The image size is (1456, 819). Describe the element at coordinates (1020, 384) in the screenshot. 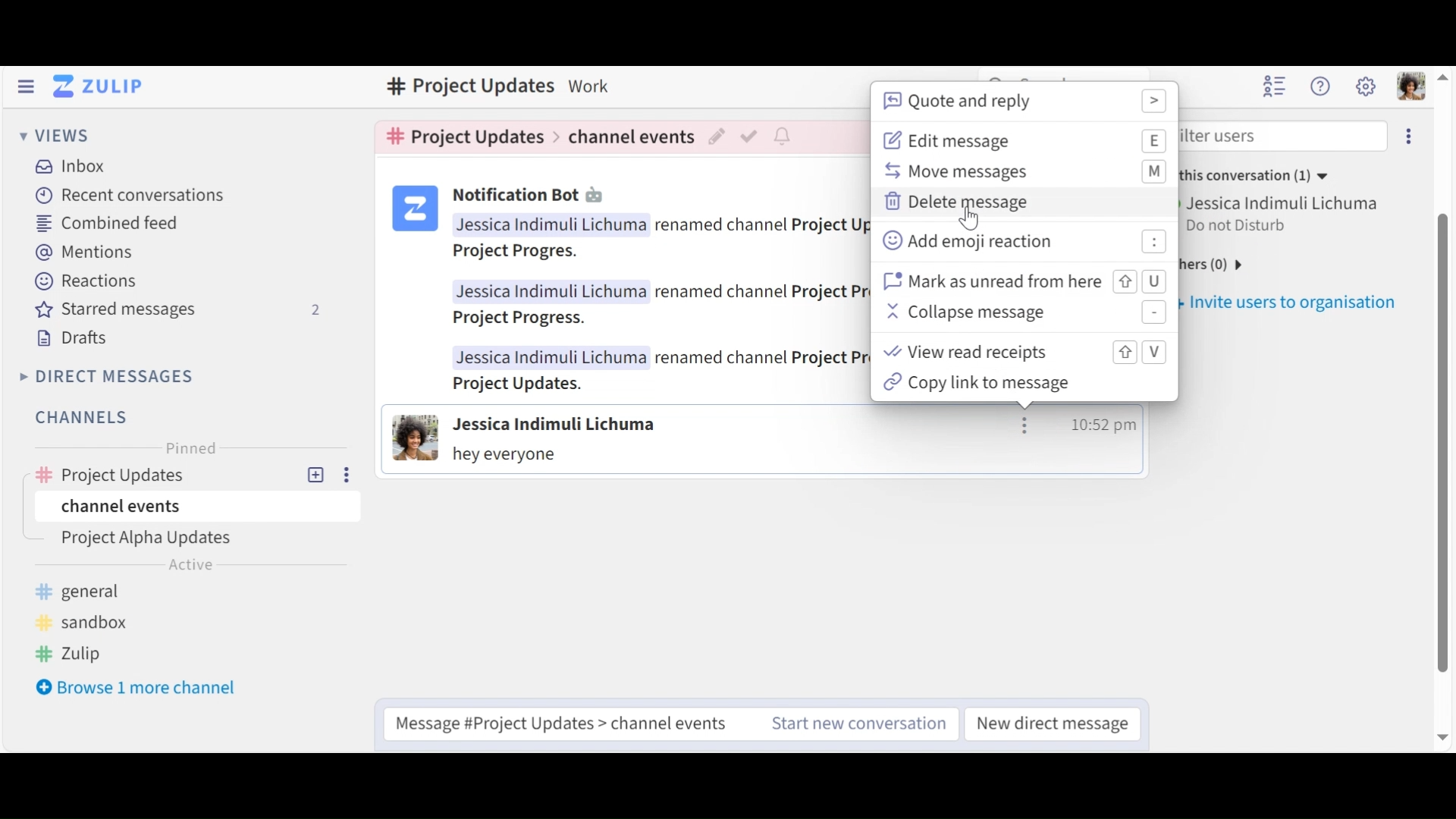

I see `Copy link to message` at that location.